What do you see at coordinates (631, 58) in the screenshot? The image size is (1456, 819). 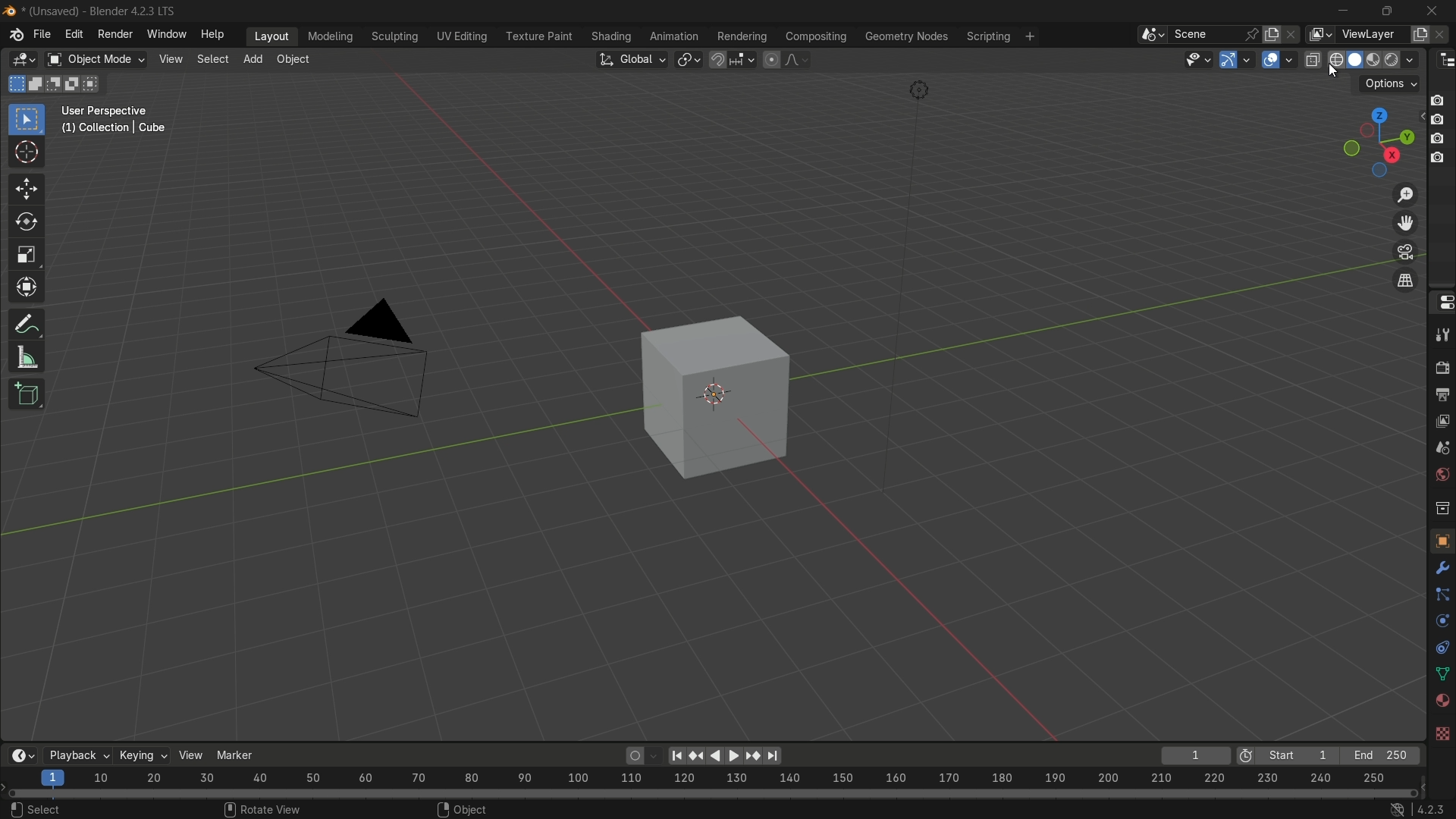 I see `transformation orientation` at bounding box center [631, 58].